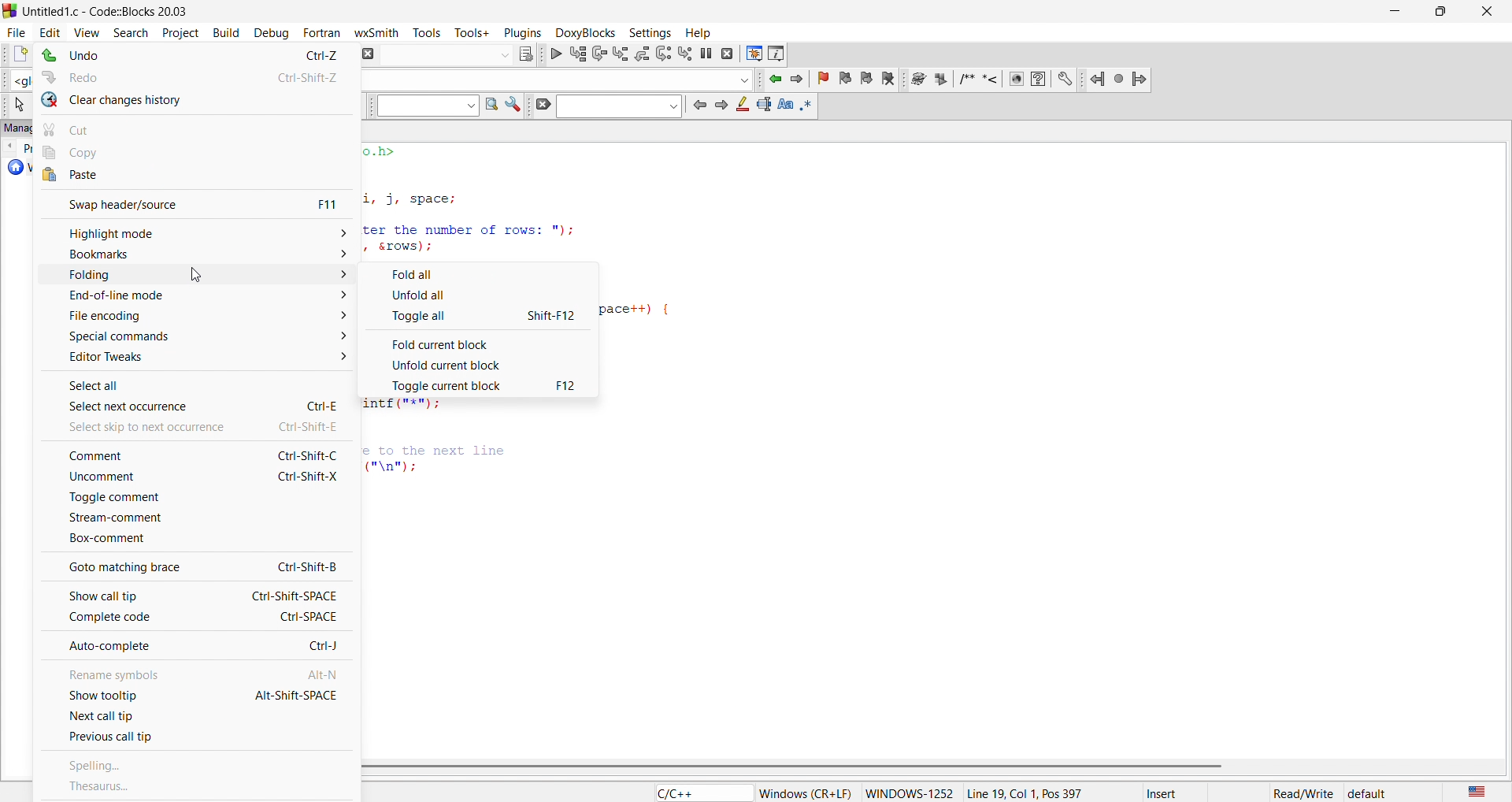 The width and height of the screenshot is (1512, 802). I want to click on previous, so click(699, 104).